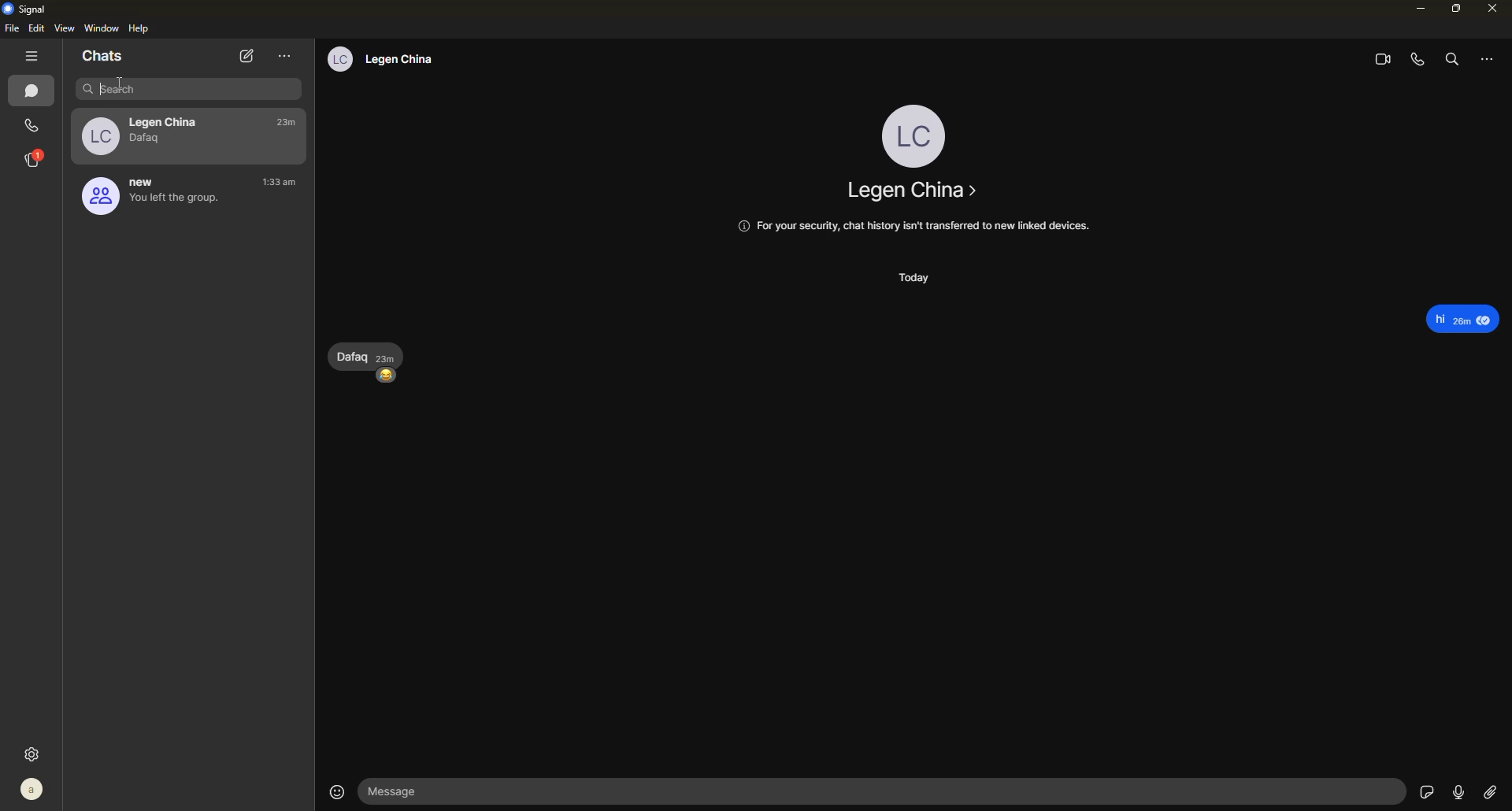  What do you see at coordinates (1458, 792) in the screenshot?
I see `record` at bounding box center [1458, 792].